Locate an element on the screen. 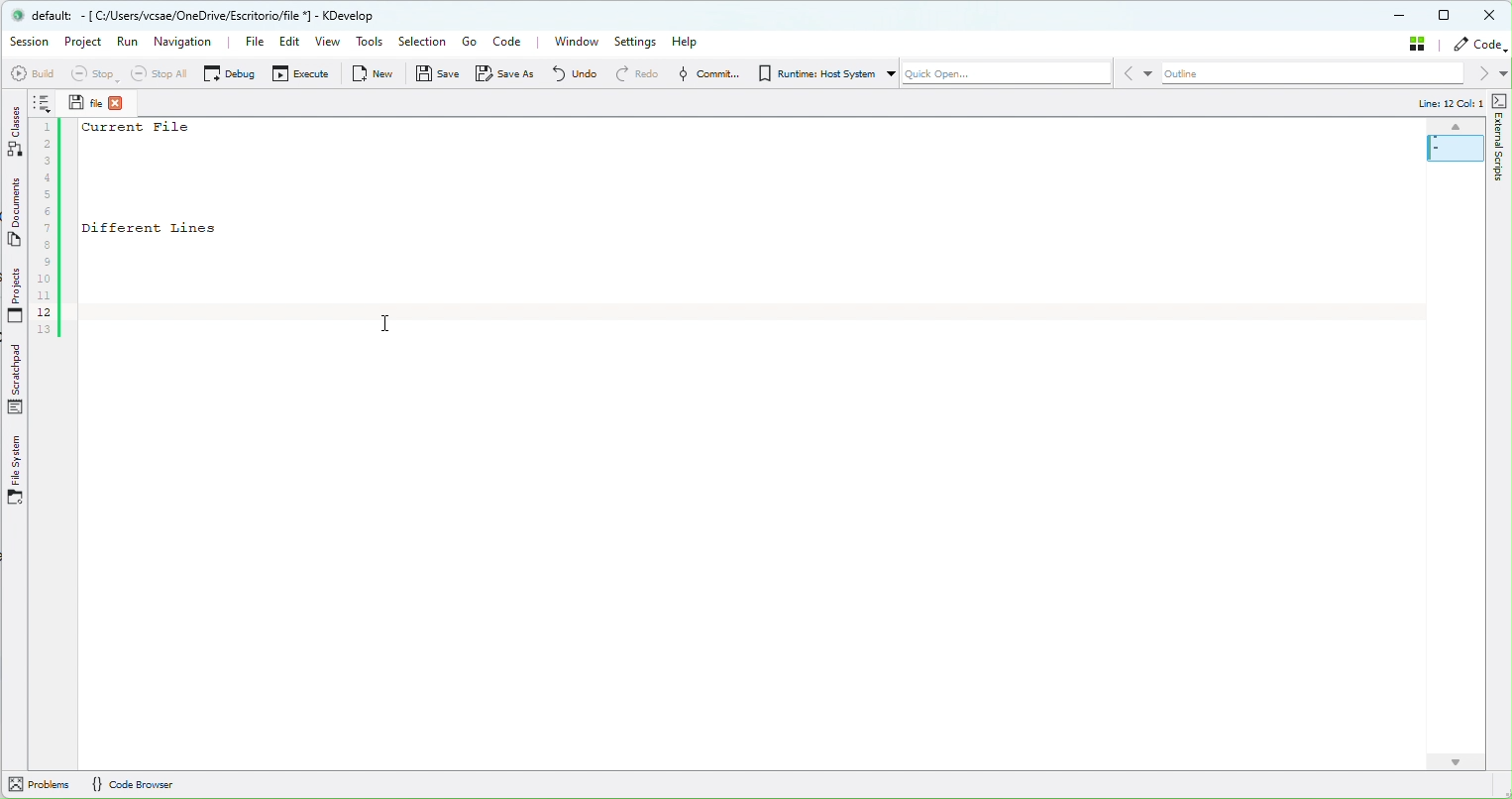 The height and width of the screenshot is (799, 1512). Selection is located at coordinates (421, 41).